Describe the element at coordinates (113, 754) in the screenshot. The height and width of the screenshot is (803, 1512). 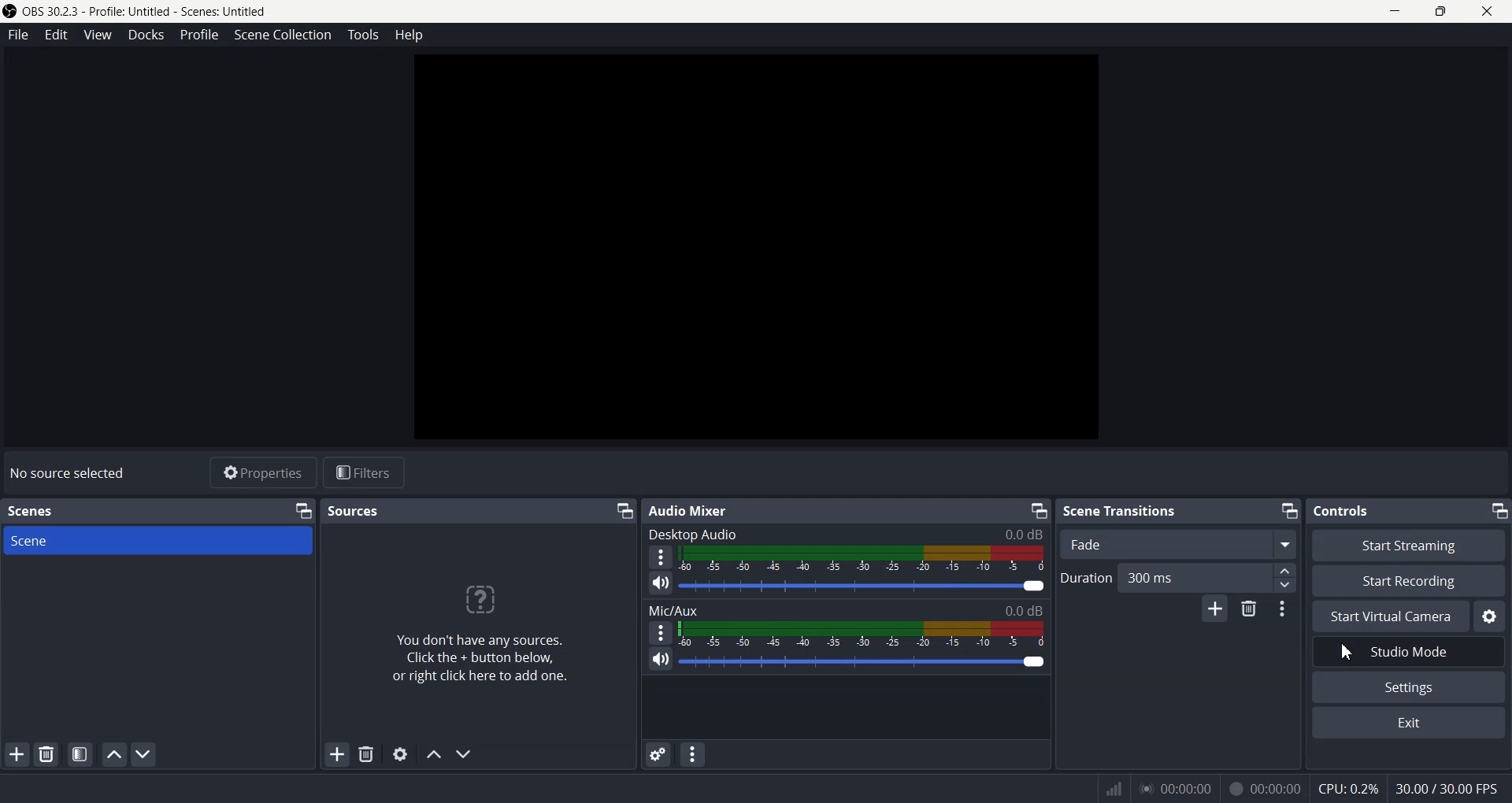
I see `Follow scene up` at that location.